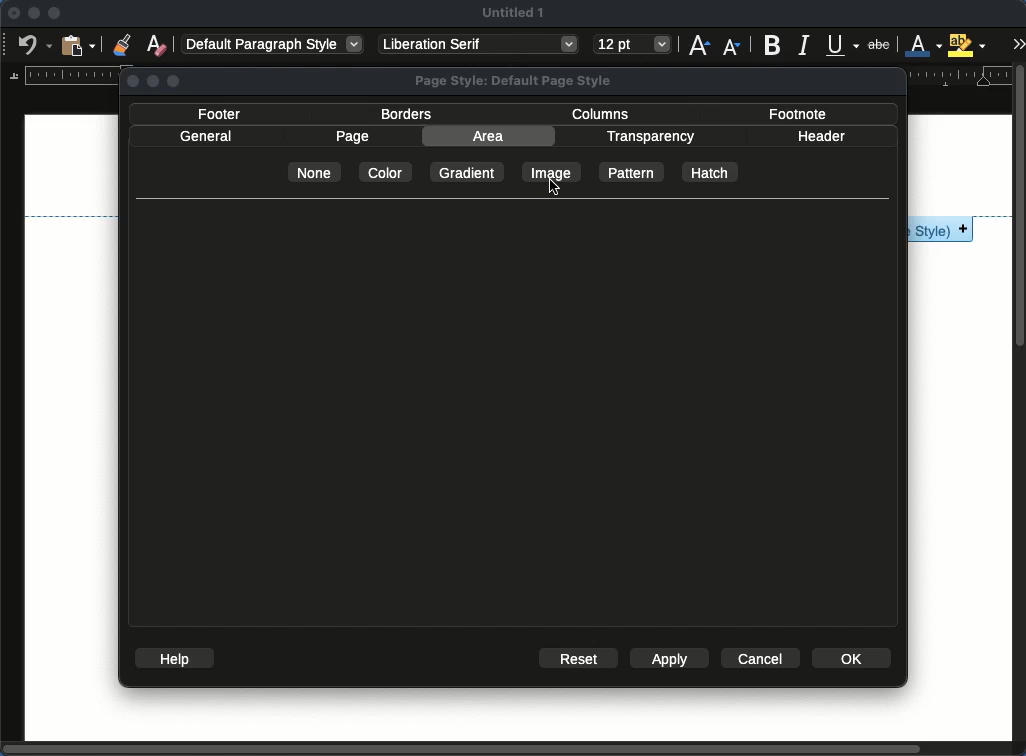  What do you see at coordinates (821, 136) in the screenshot?
I see `header` at bounding box center [821, 136].